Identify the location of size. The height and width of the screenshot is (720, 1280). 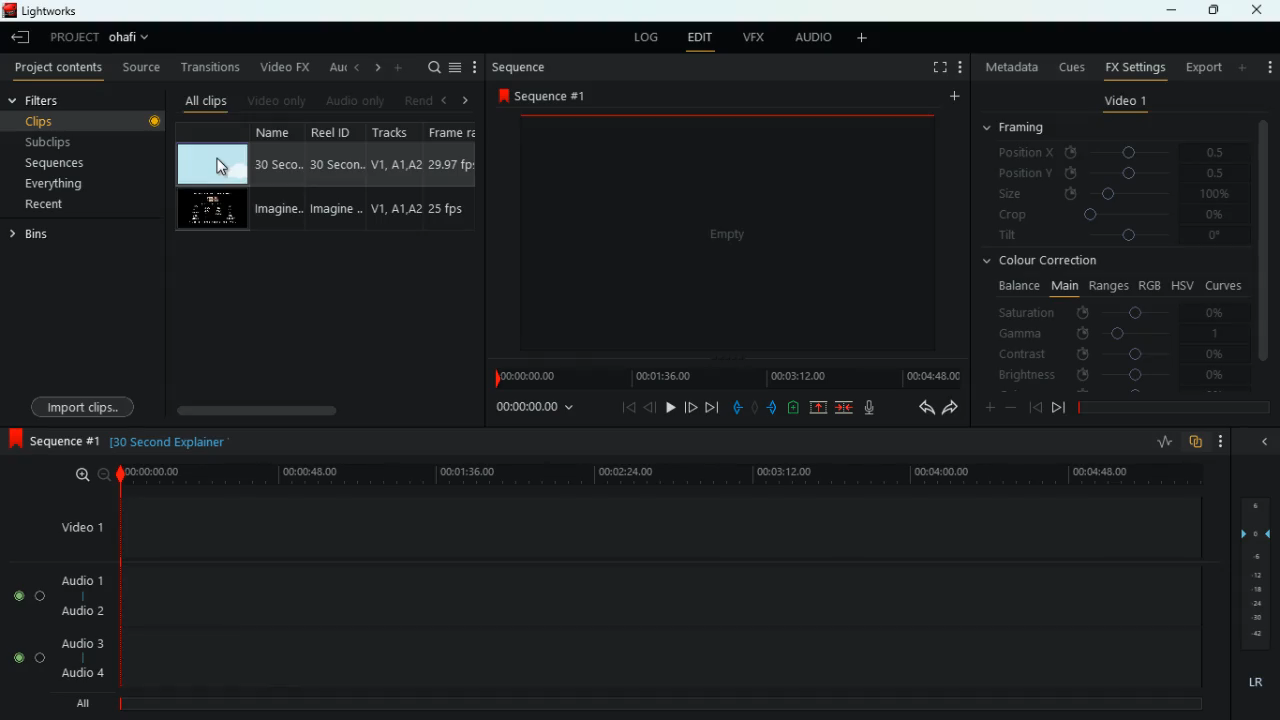
(1118, 194).